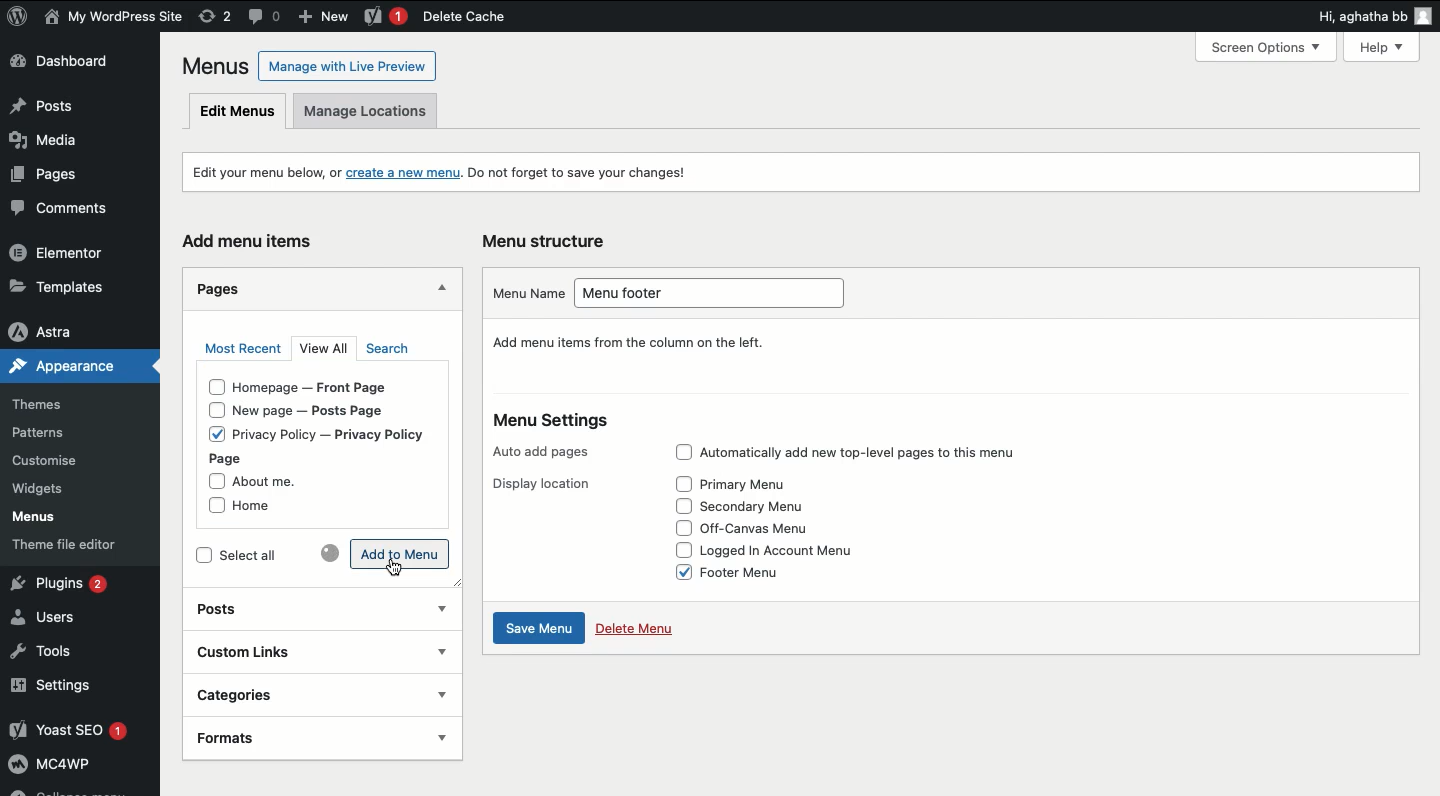 Image resolution: width=1440 pixels, height=796 pixels. I want to click on Themes, so click(50, 401).